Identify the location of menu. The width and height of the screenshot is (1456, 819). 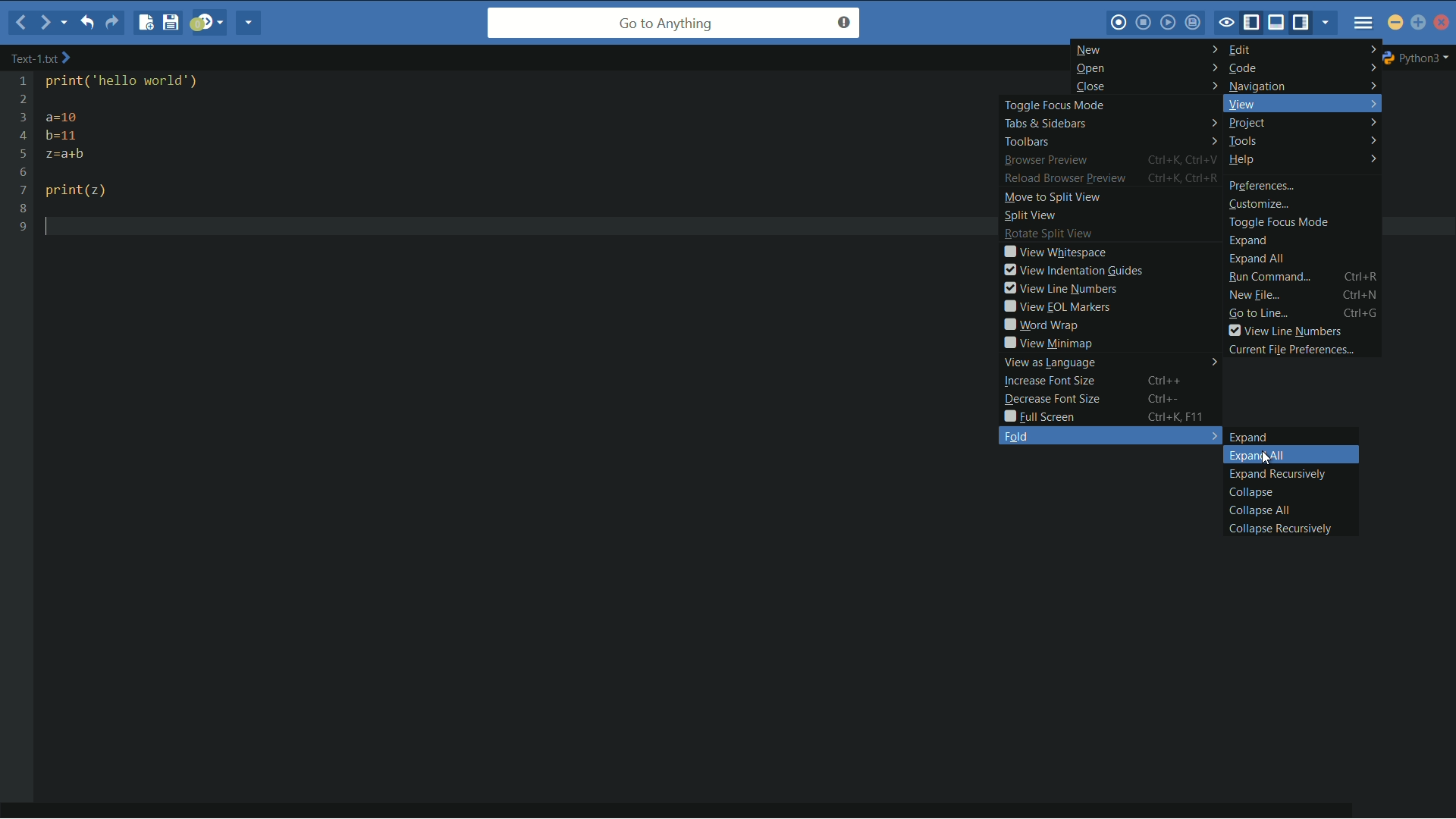
(1363, 22).